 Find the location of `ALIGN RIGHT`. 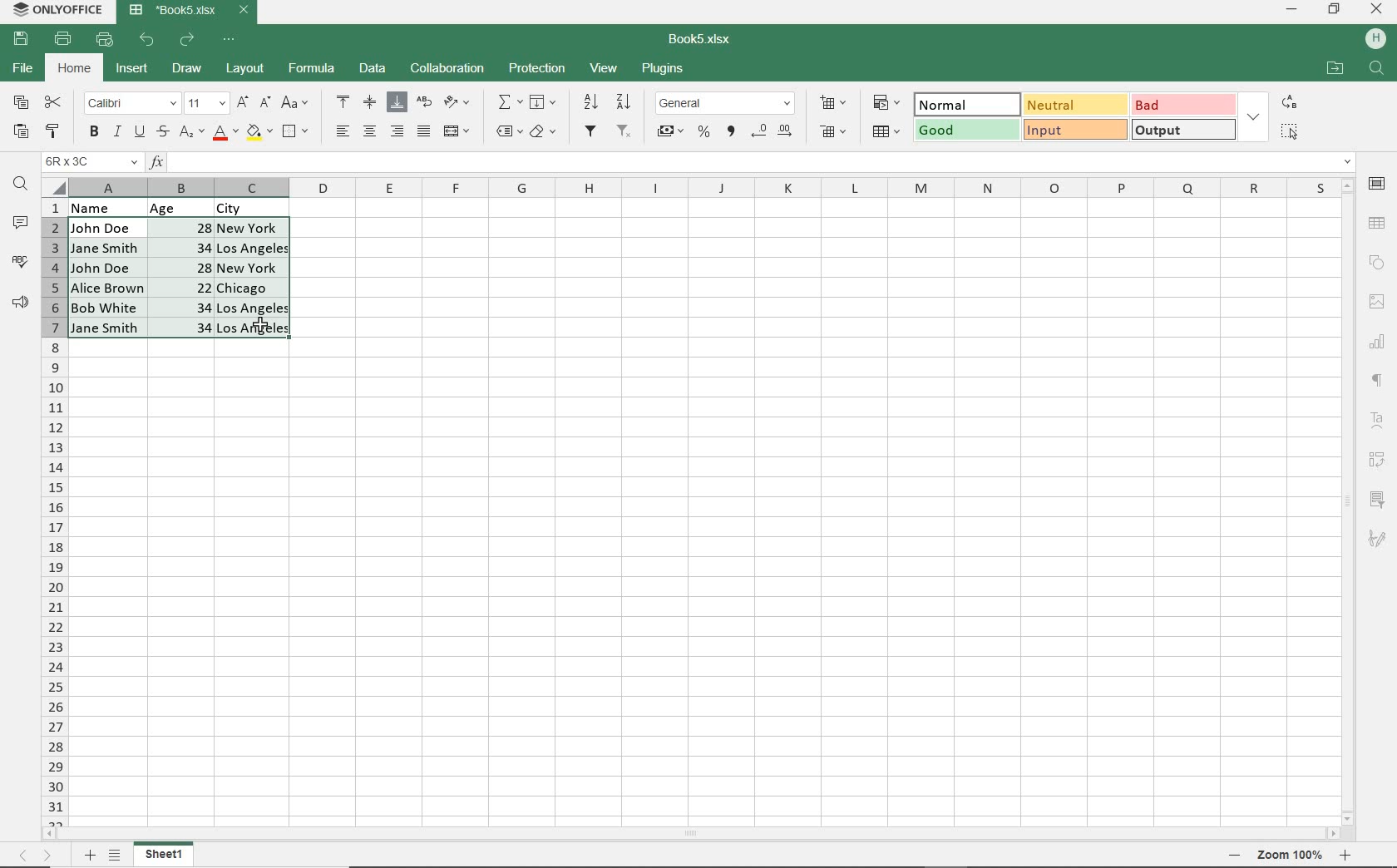

ALIGN RIGHT is located at coordinates (397, 131).